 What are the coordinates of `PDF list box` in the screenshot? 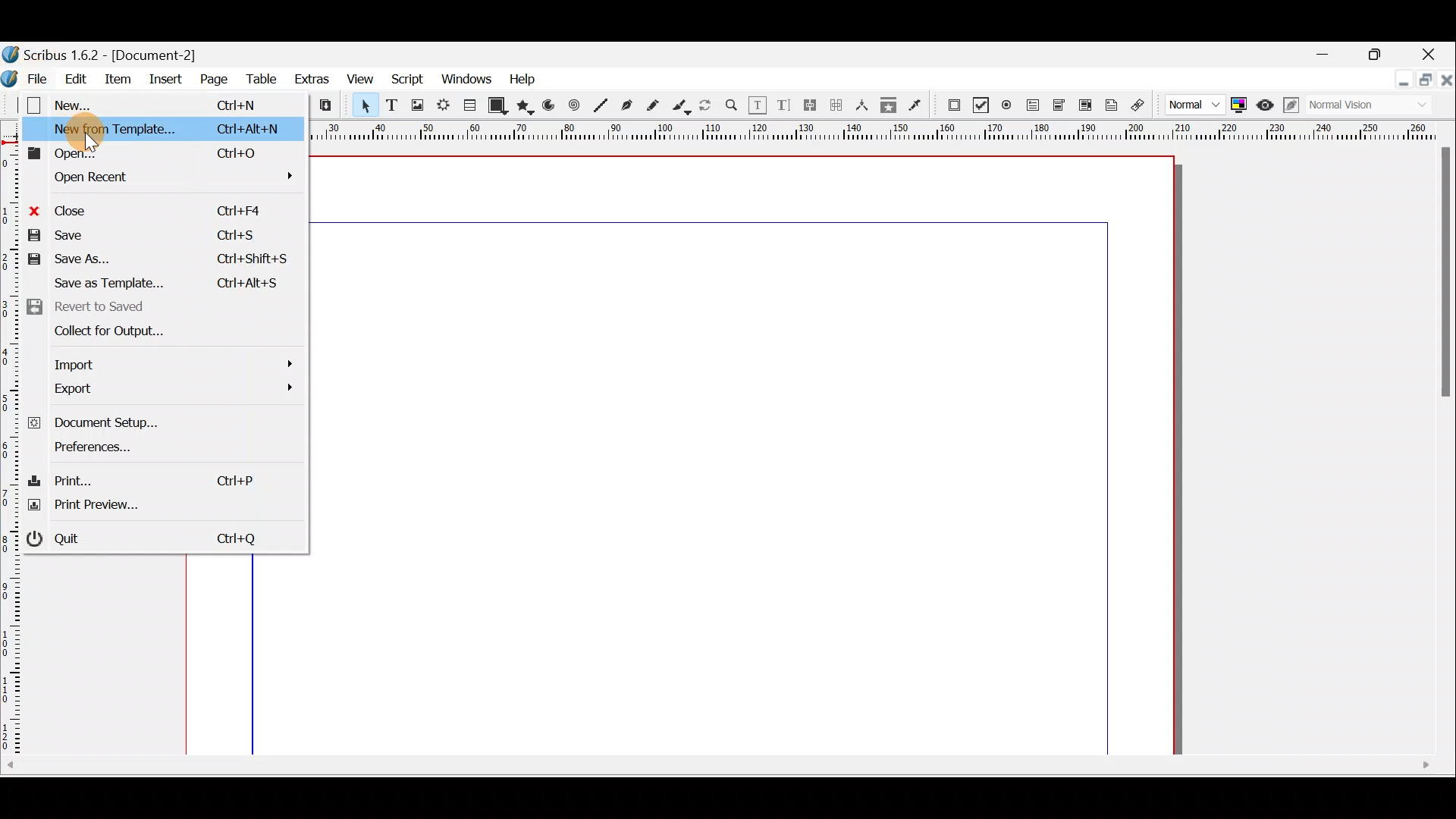 It's located at (1082, 107).